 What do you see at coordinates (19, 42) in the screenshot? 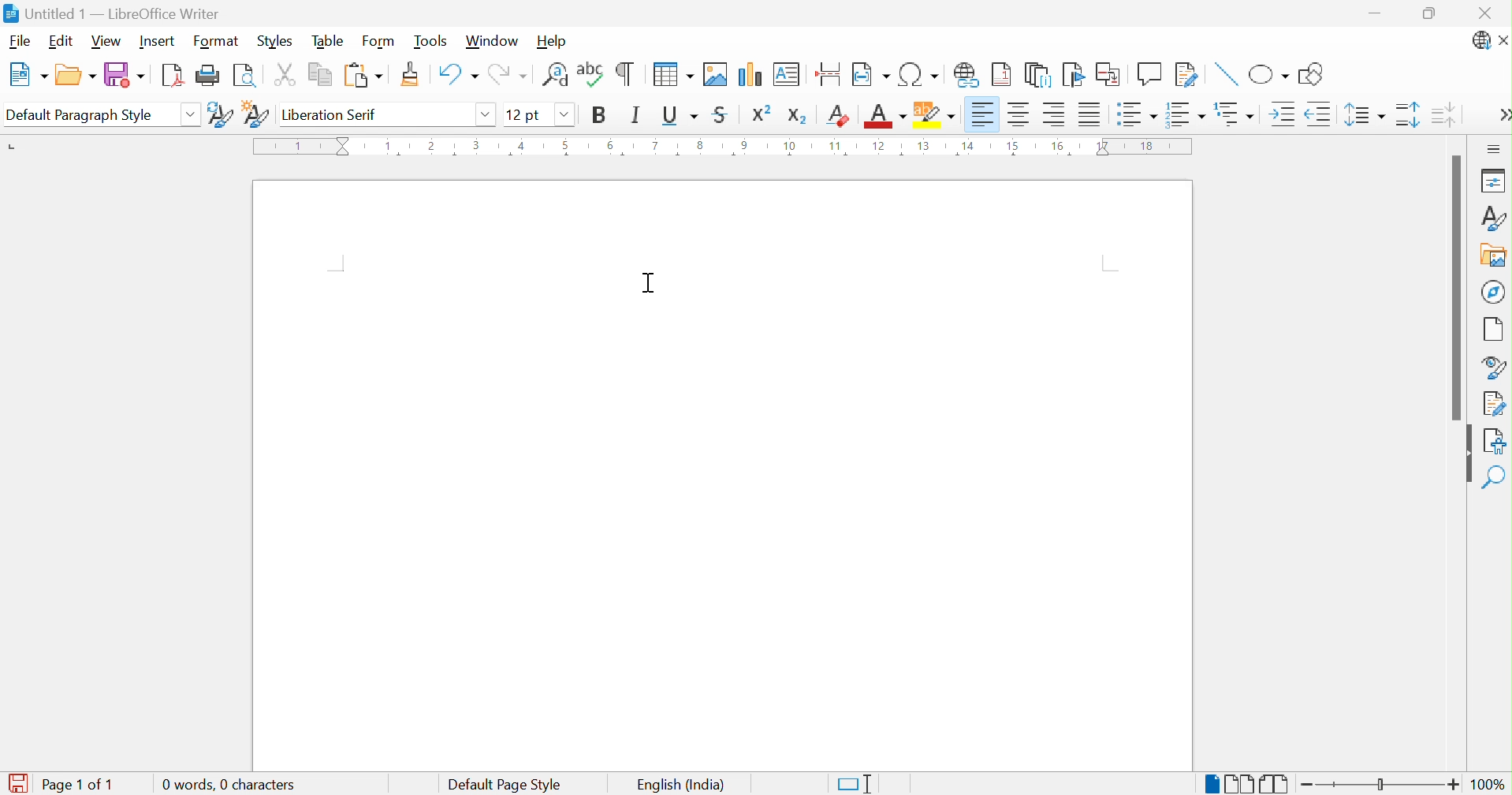
I see `File` at bounding box center [19, 42].